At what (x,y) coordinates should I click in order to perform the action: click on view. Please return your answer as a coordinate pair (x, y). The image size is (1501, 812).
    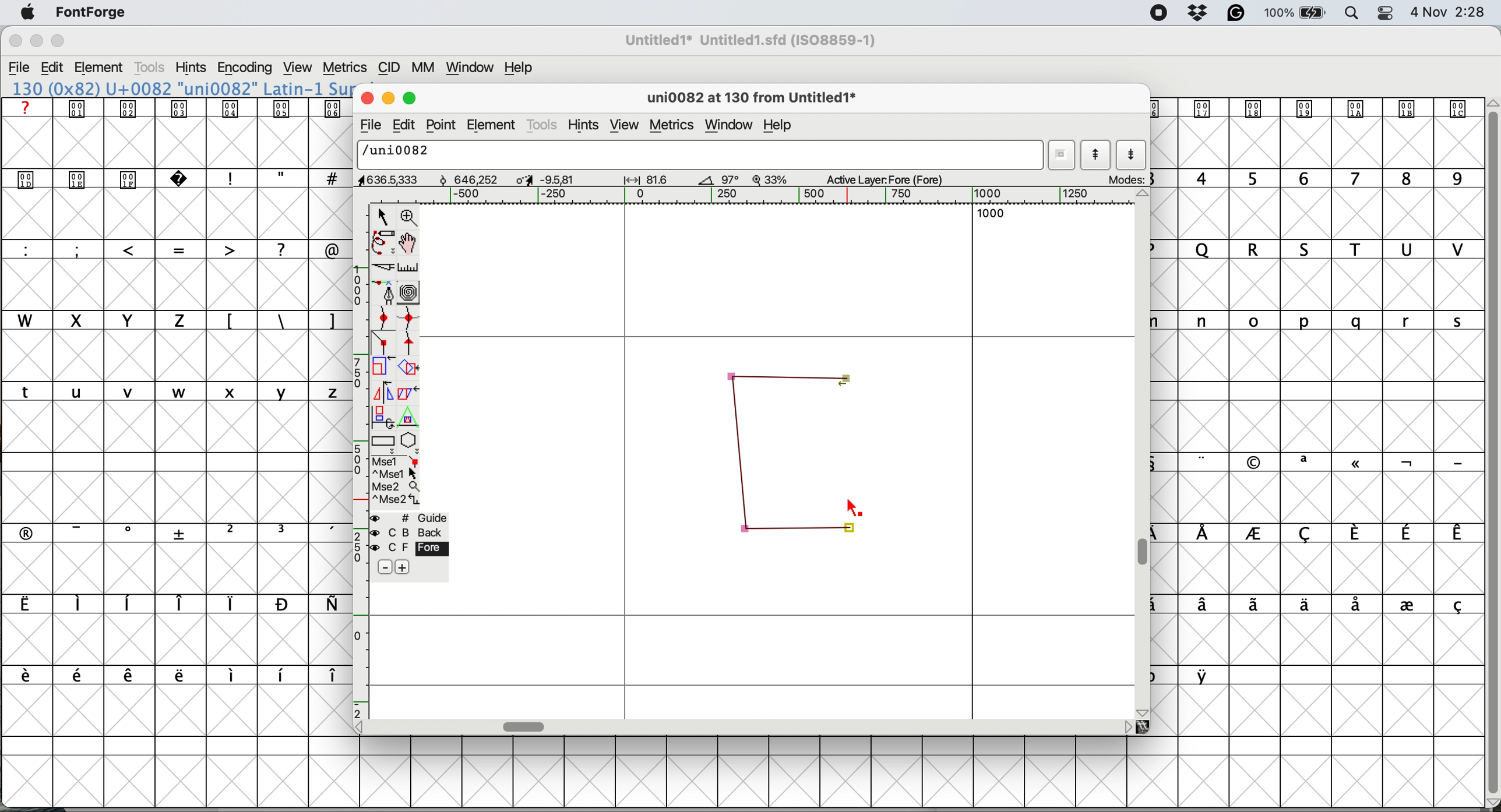
    Looking at the image, I should click on (300, 68).